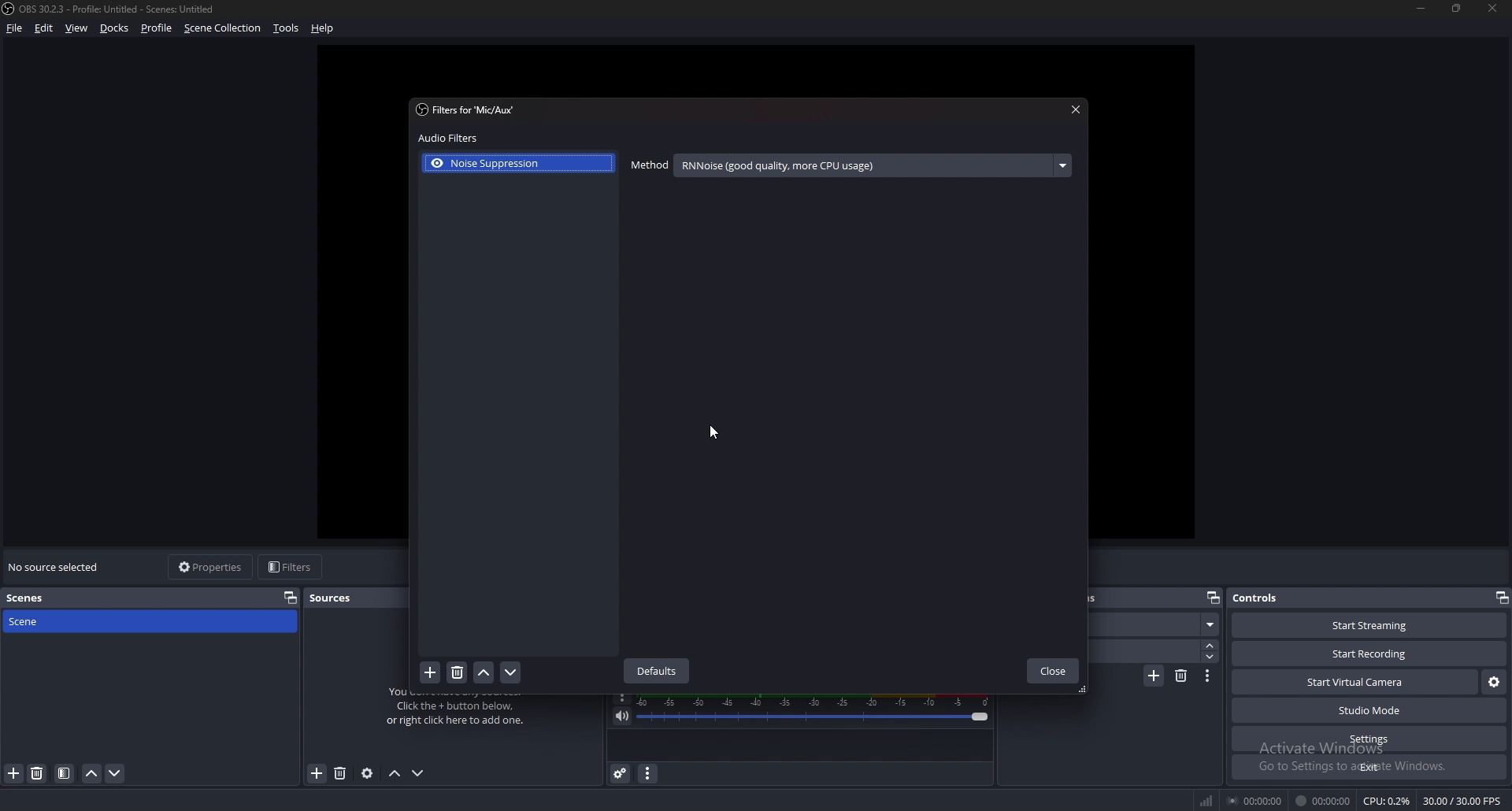 The width and height of the screenshot is (1512, 811). I want to click on move filter up, so click(484, 672).